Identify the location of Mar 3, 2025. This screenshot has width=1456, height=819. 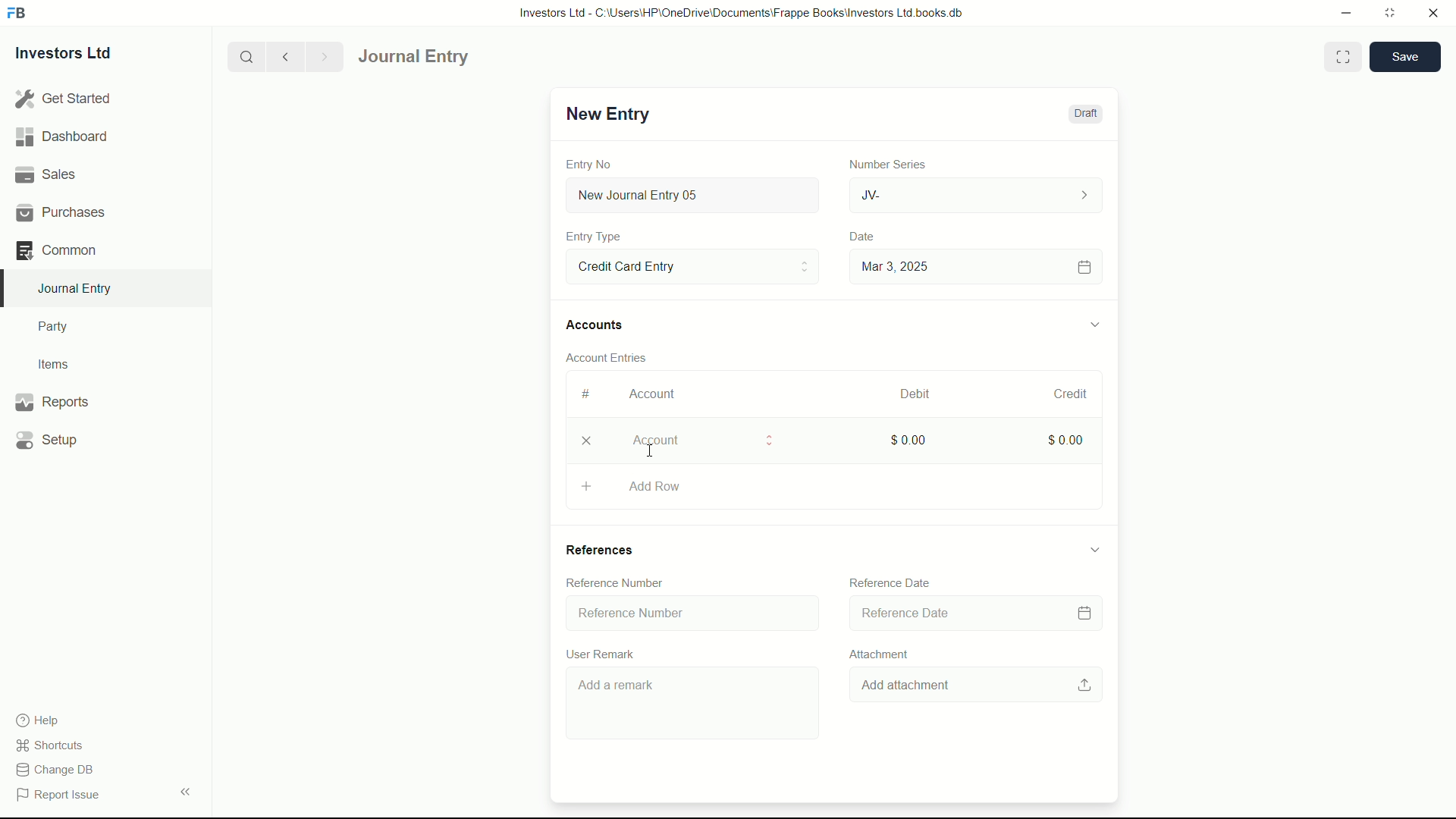
(974, 266).